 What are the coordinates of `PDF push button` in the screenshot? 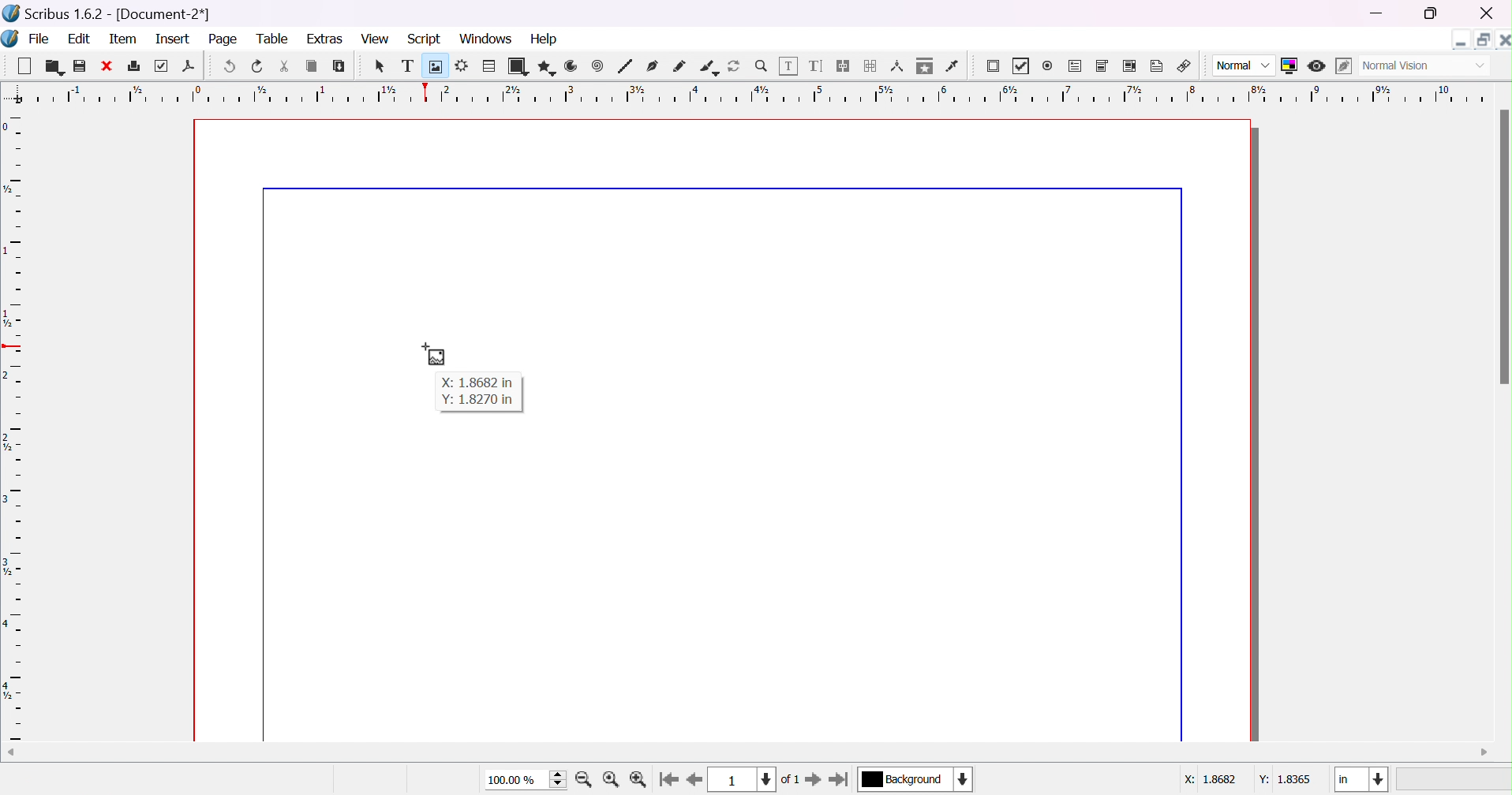 It's located at (995, 68).